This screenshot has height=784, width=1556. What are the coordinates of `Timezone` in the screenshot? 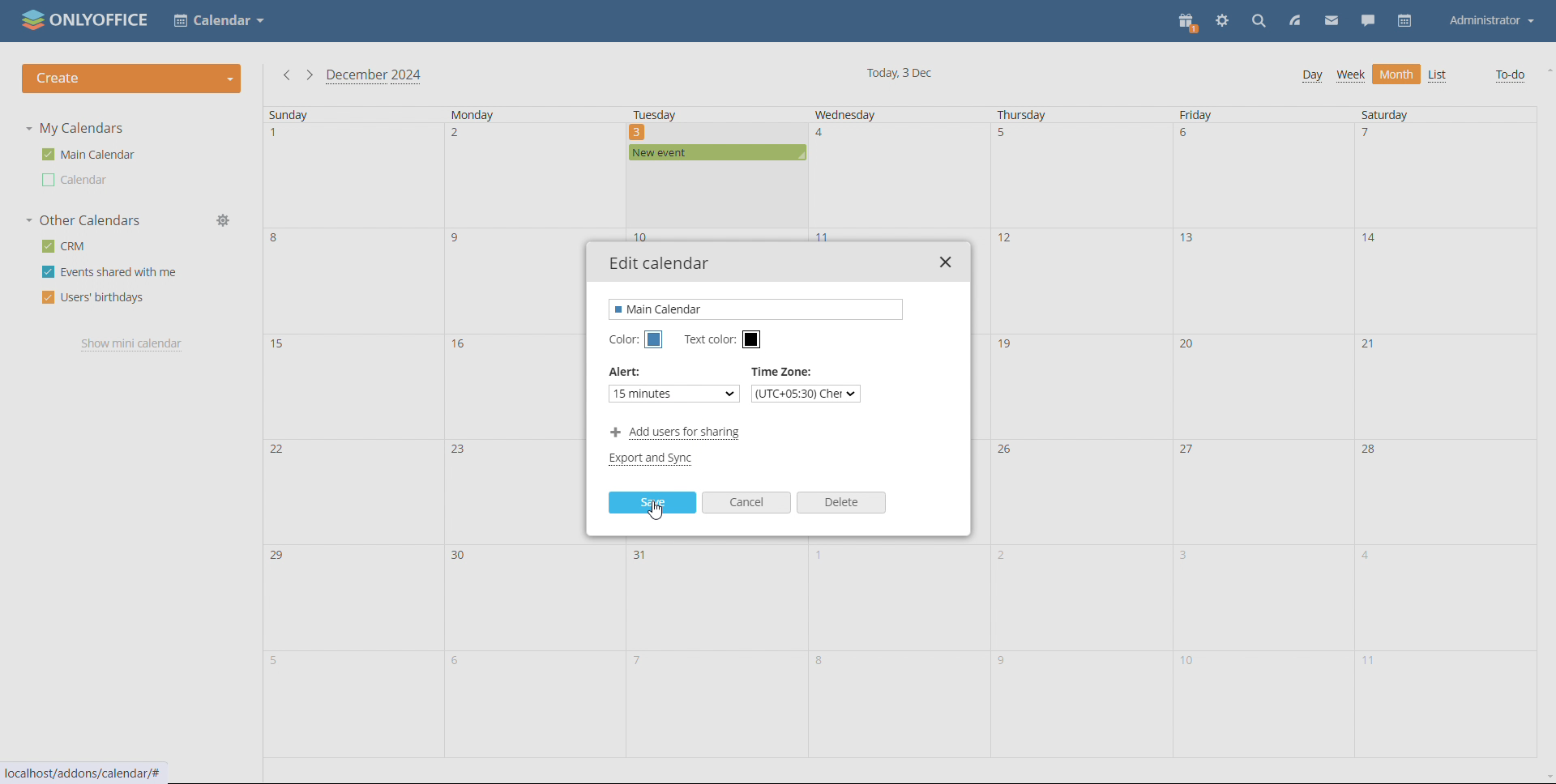 It's located at (784, 373).